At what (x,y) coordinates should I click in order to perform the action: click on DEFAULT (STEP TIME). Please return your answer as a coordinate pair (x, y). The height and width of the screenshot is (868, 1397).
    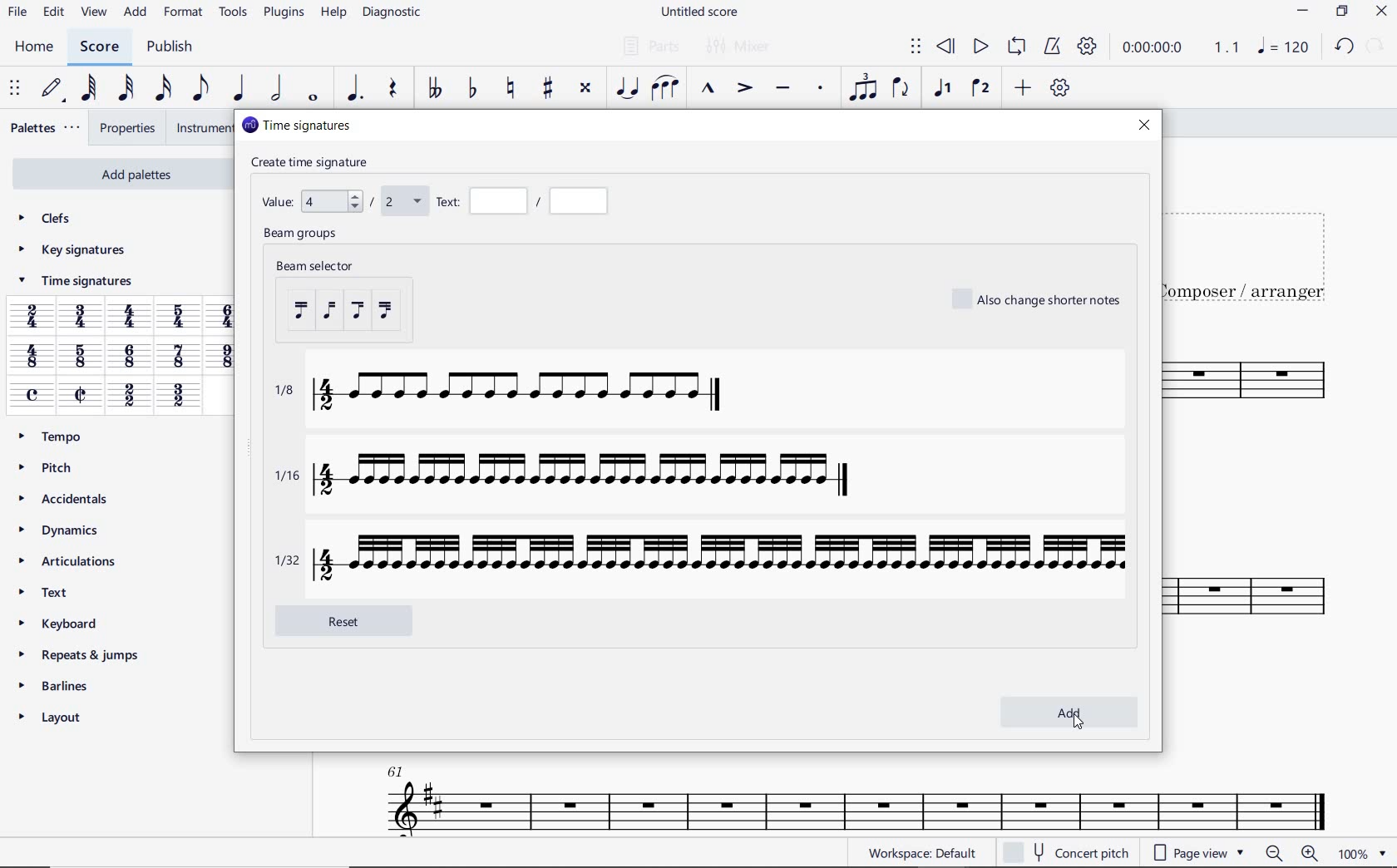
    Looking at the image, I should click on (52, 89).